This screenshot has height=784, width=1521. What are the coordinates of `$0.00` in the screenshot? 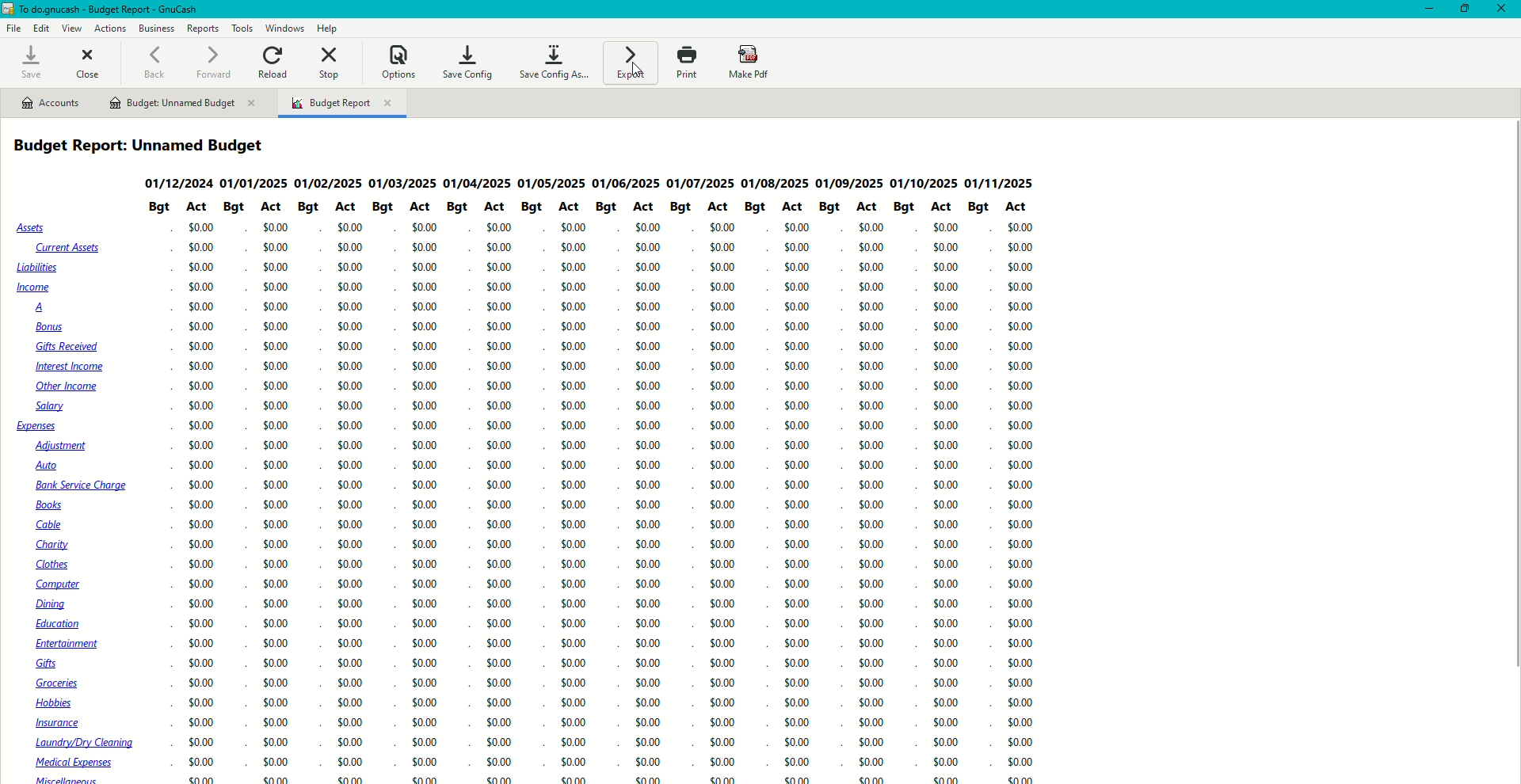 It's located at (351, 683).